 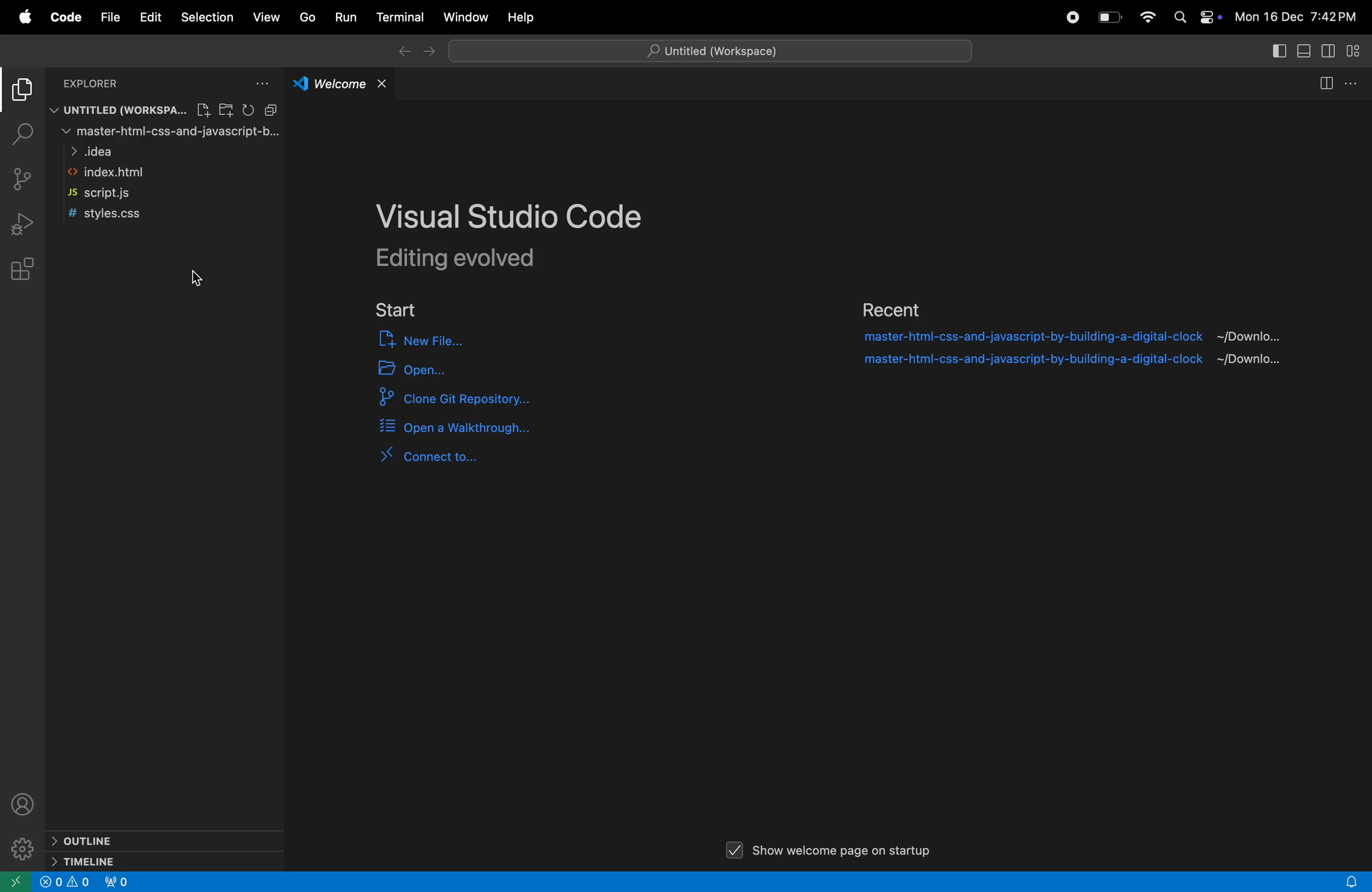 I want to click on code, so click(x=66, y=17).